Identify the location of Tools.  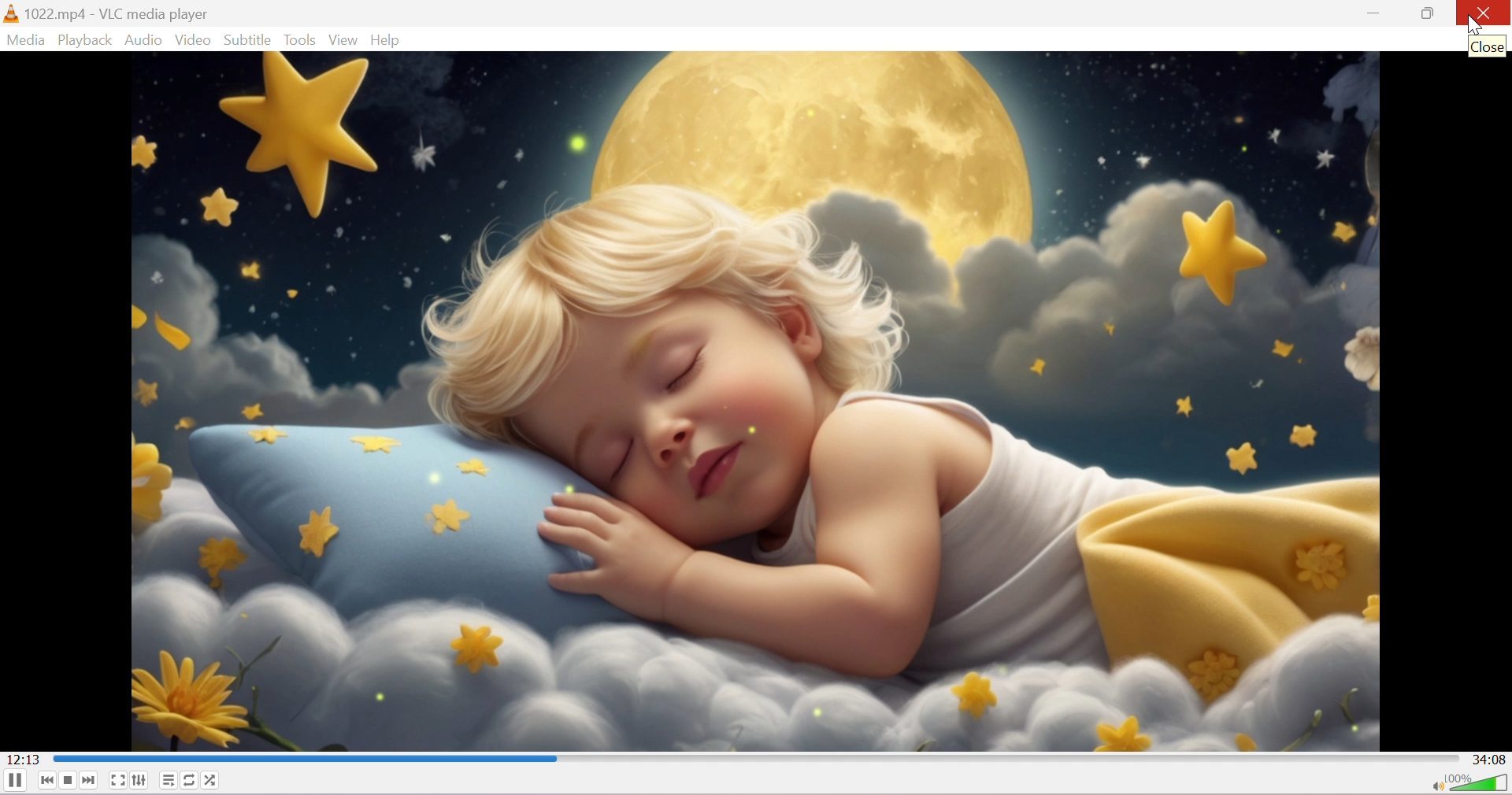
(303, 39).